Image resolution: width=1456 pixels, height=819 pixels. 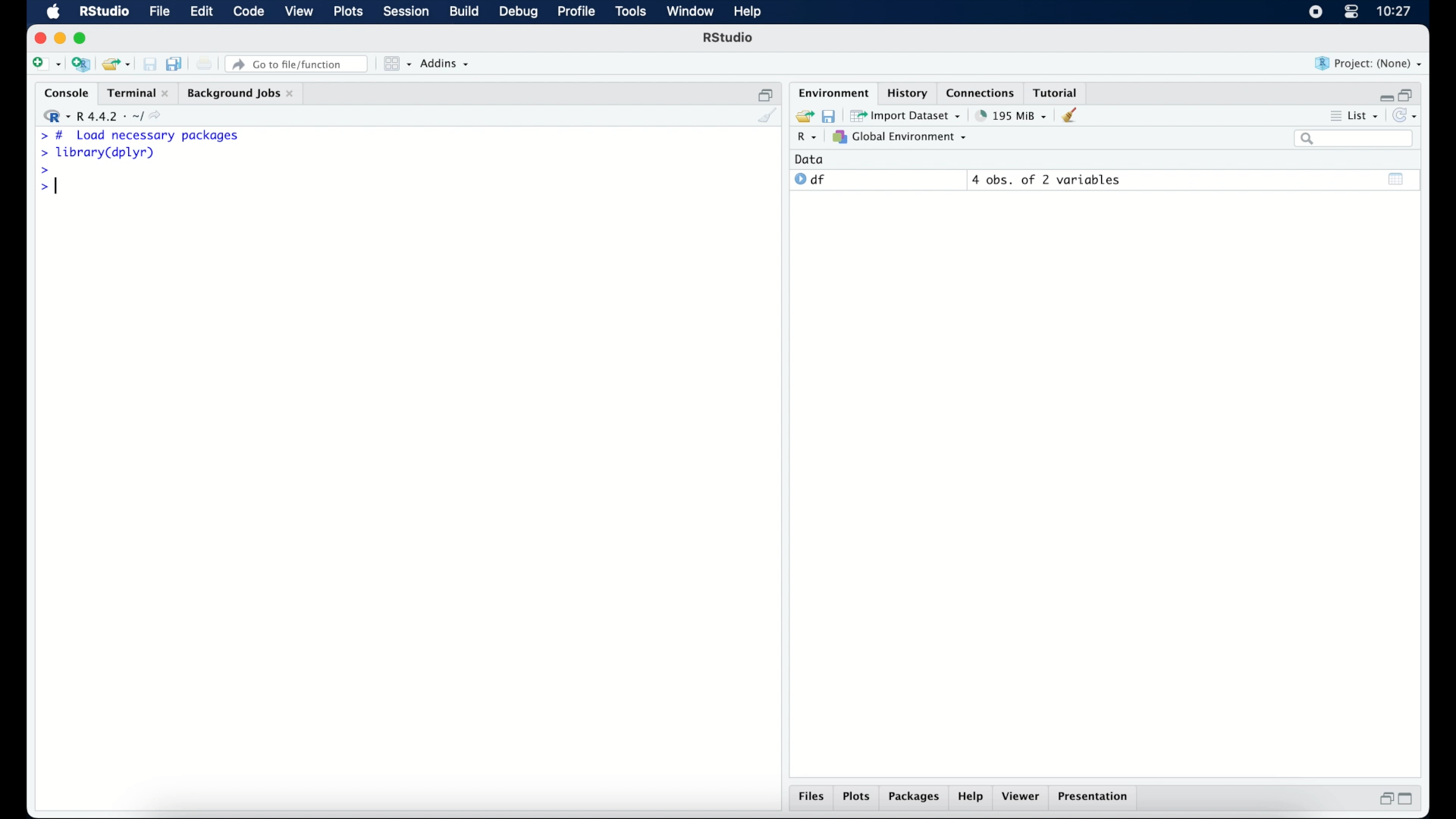 I want to click on go to file/function, so click(x=297, y=64).